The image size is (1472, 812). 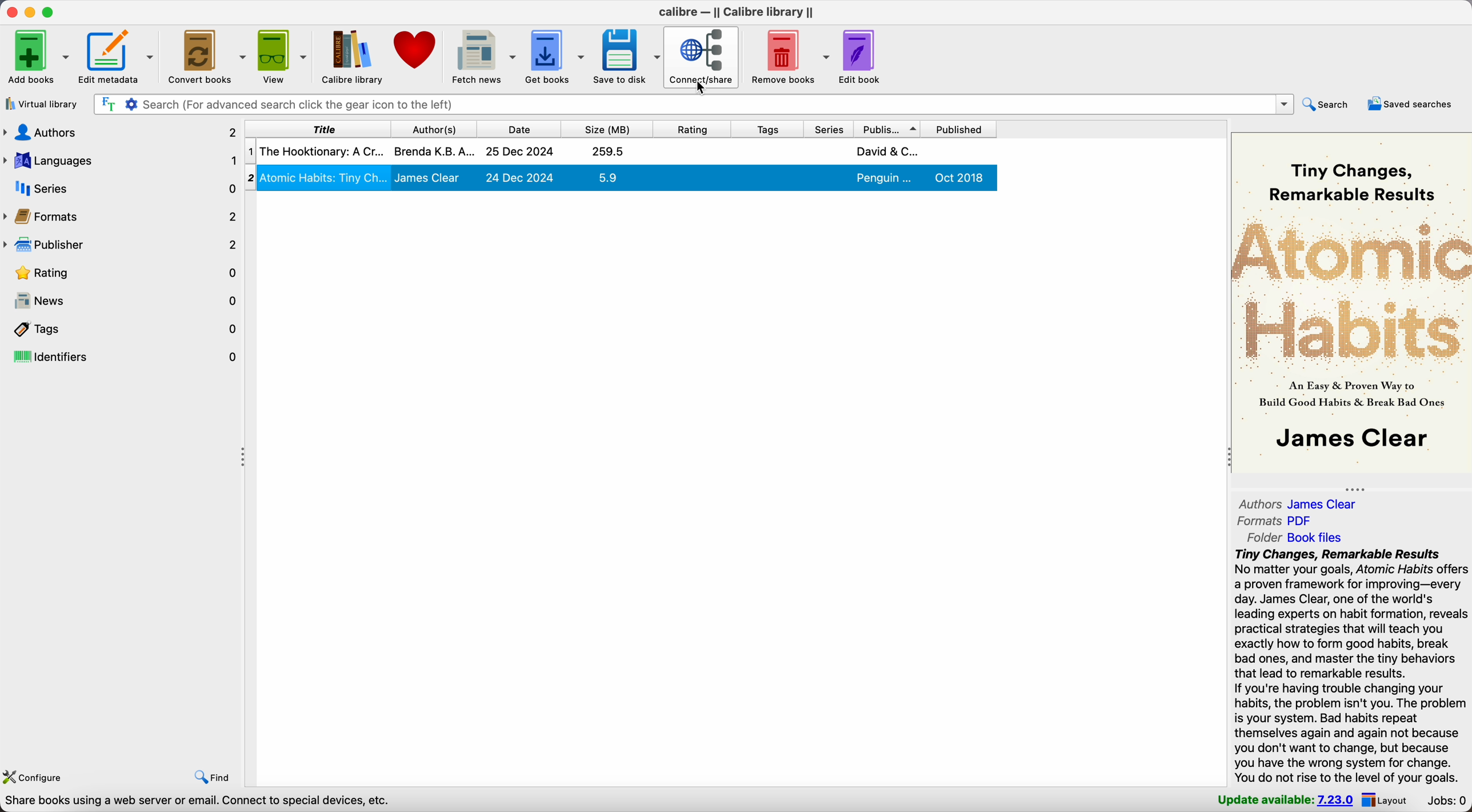 What do you see at coordinates (827, 128) in the screenshot?
I see `series` at bounding box center [827, 128].